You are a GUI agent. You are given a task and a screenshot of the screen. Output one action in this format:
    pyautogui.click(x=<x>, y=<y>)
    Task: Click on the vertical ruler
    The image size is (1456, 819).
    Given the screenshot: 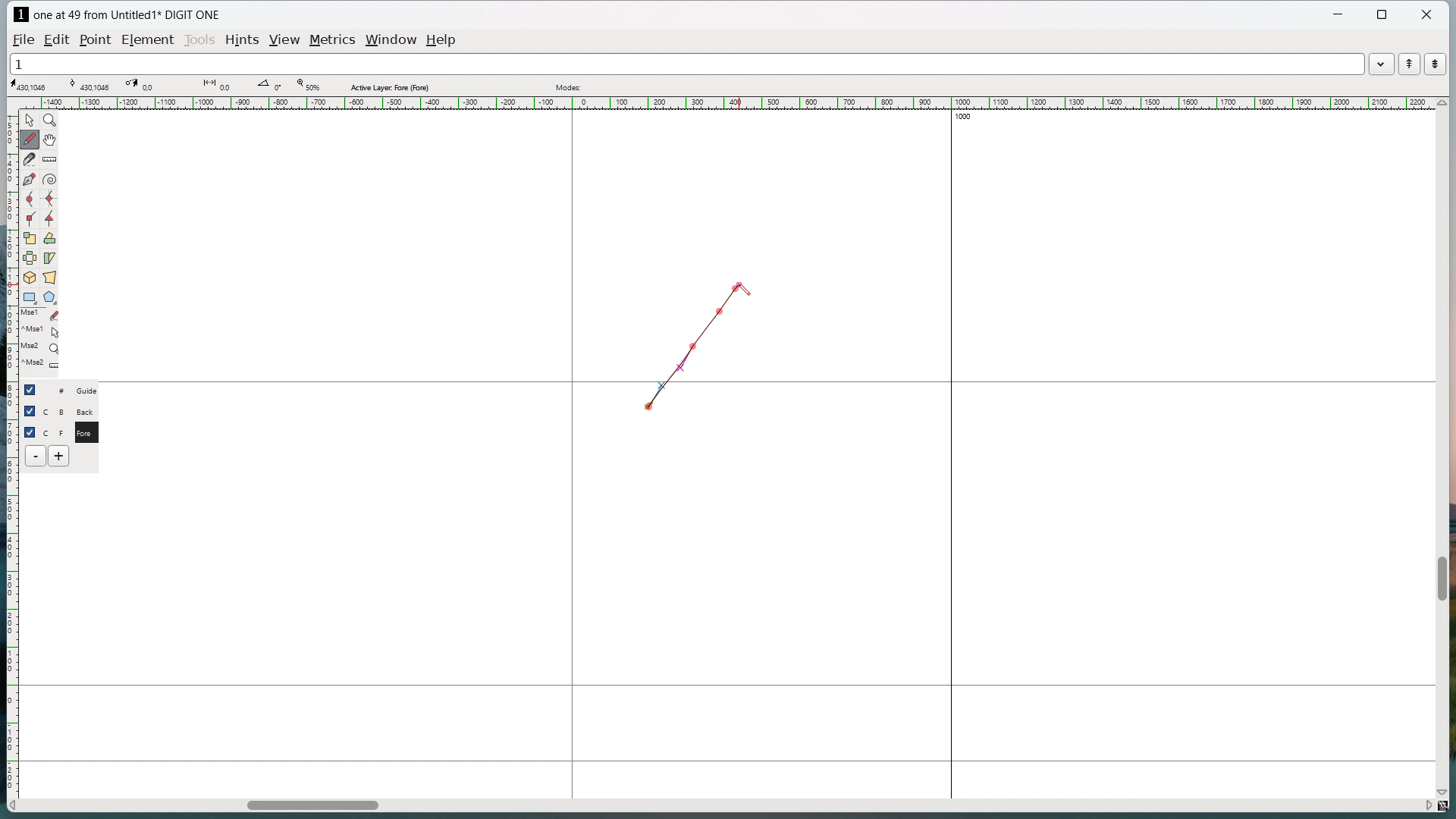 What is the action you would take?
    pyautogui.click(x=11, y=446)
    